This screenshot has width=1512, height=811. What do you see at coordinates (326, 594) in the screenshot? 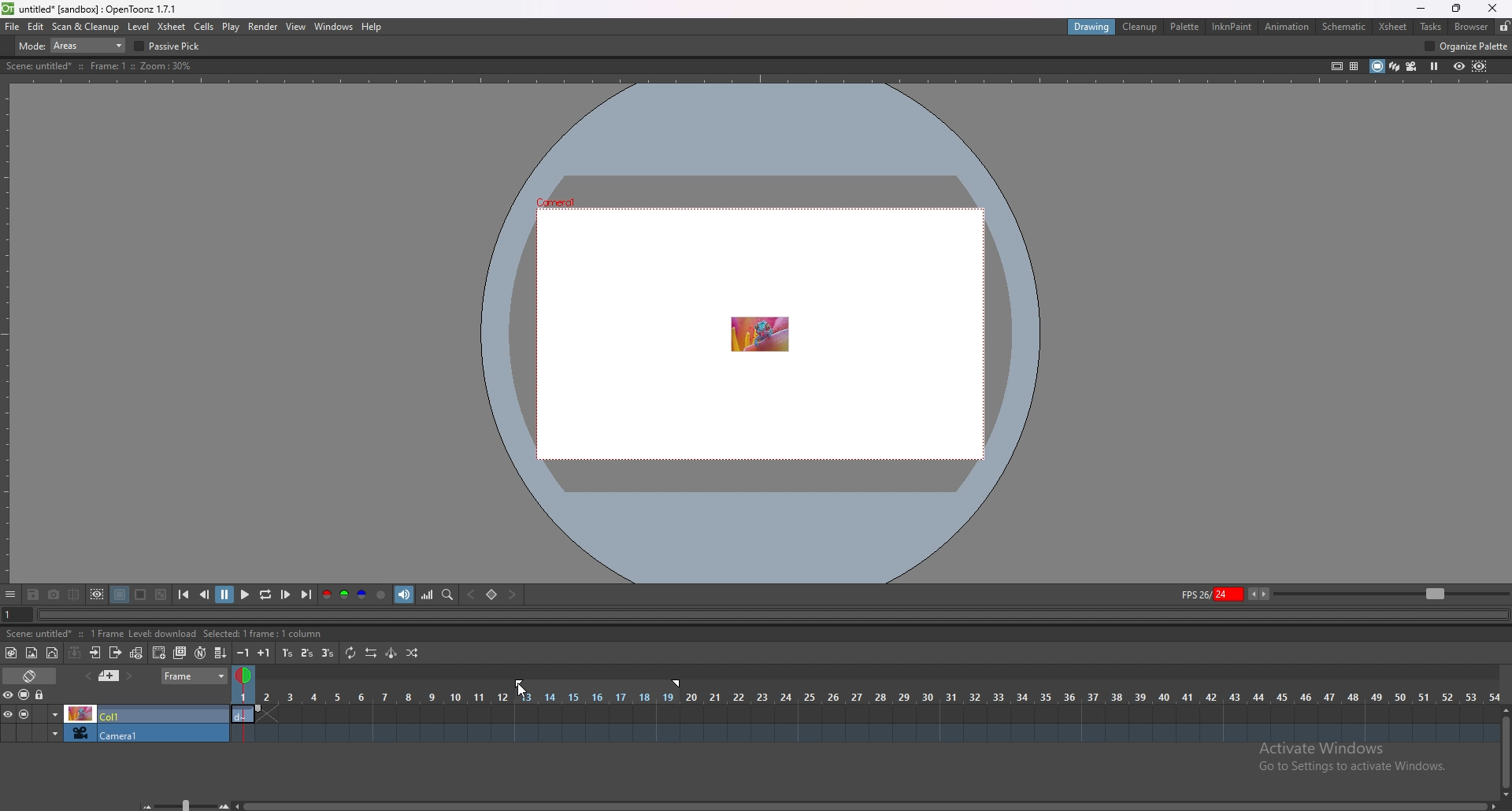
I see `red channel` at bounding box center [326, 594].